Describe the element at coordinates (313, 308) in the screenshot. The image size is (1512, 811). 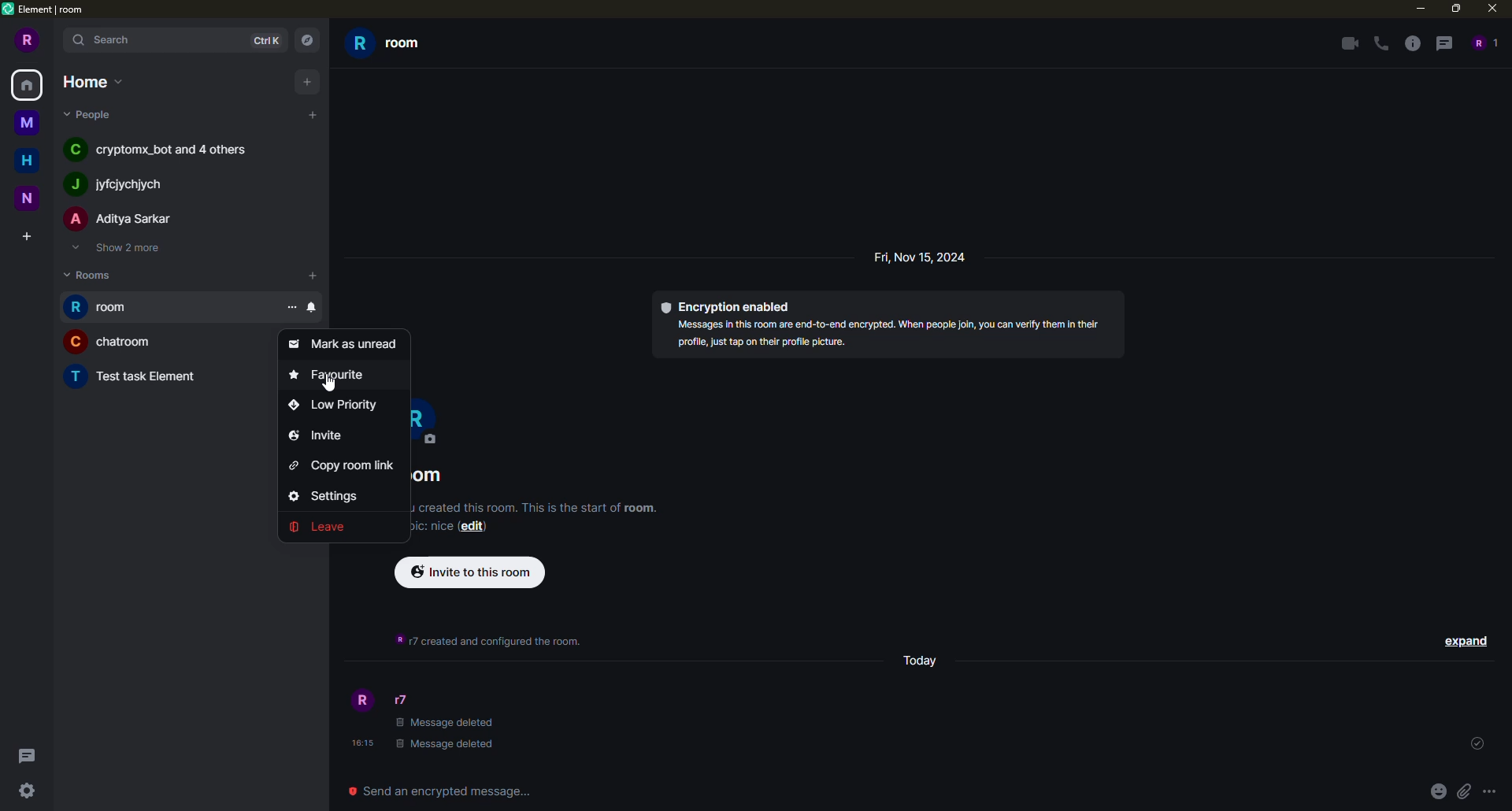
I see `bell` at that location.